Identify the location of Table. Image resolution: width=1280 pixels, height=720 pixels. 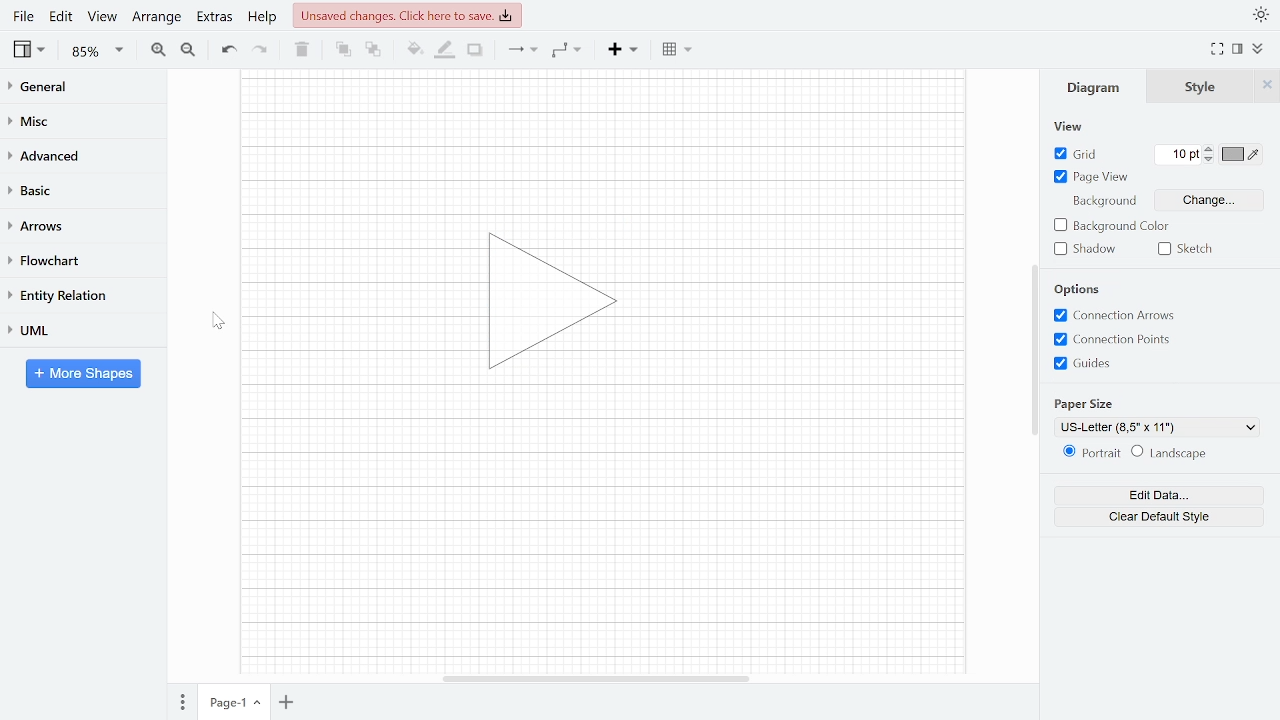
(679, 48).